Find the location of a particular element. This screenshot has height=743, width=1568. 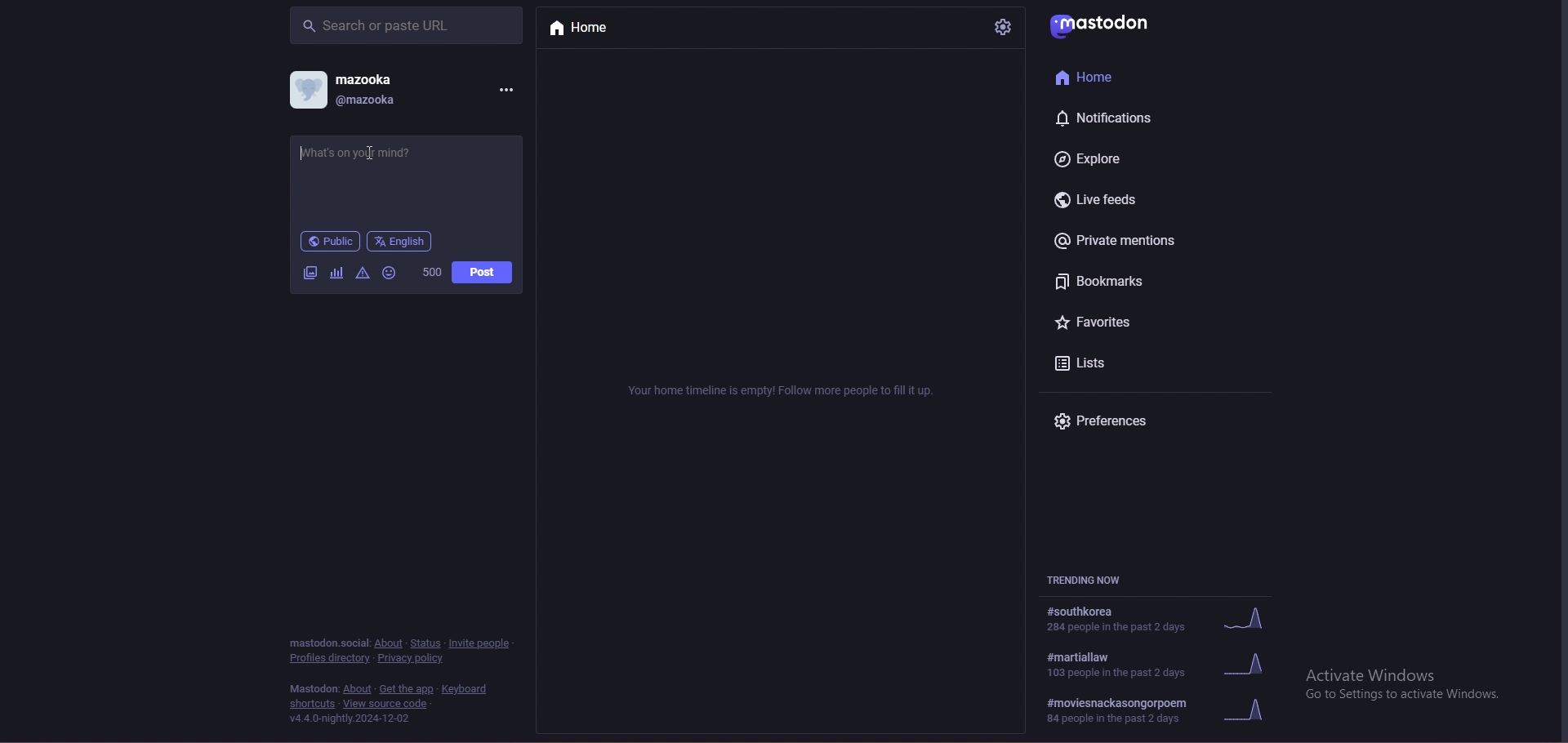

status update is located at coordinates (382, 183).